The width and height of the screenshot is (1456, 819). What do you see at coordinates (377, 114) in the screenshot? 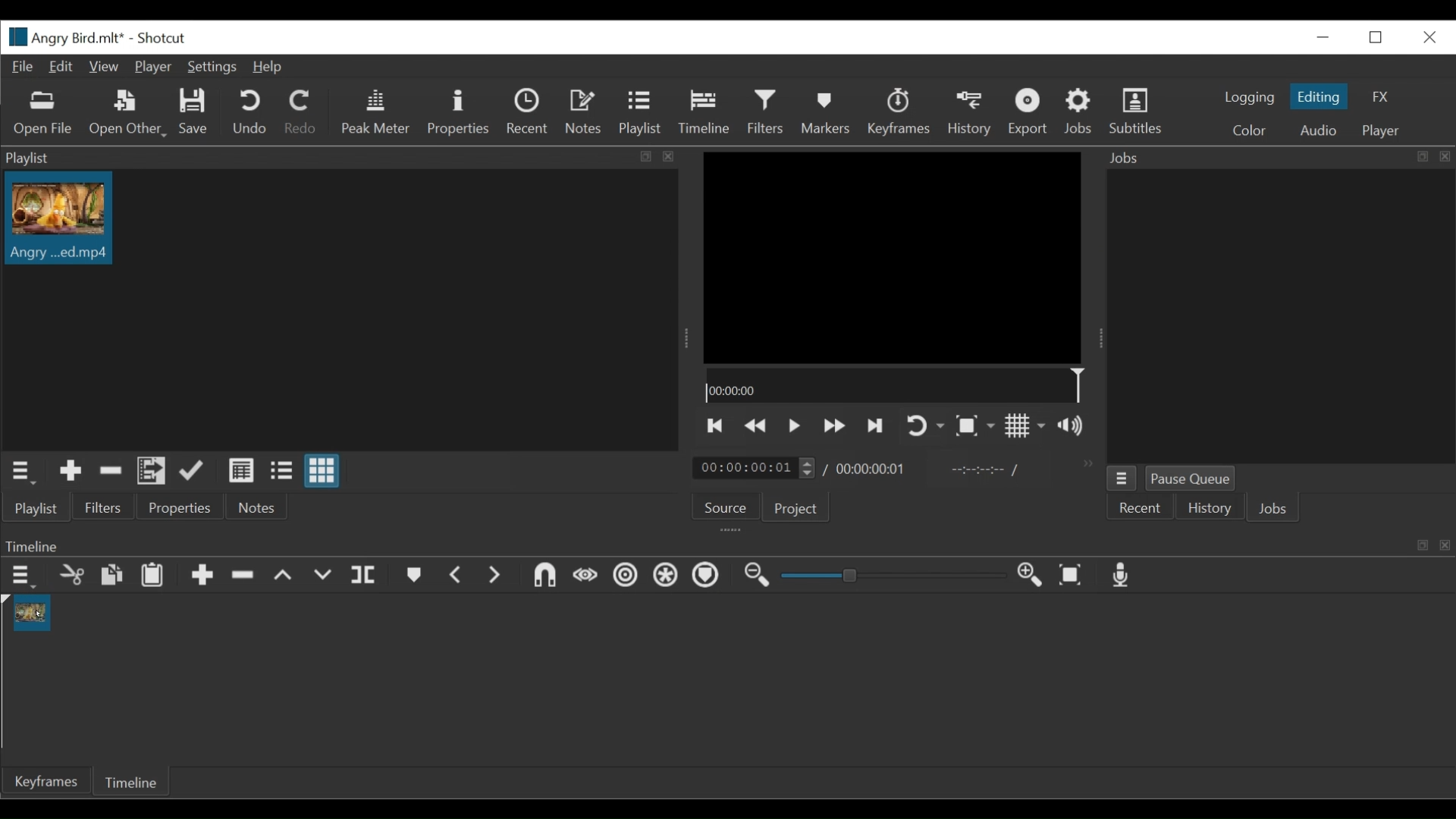
I see `Peak master` at bounding box center [377, 114].